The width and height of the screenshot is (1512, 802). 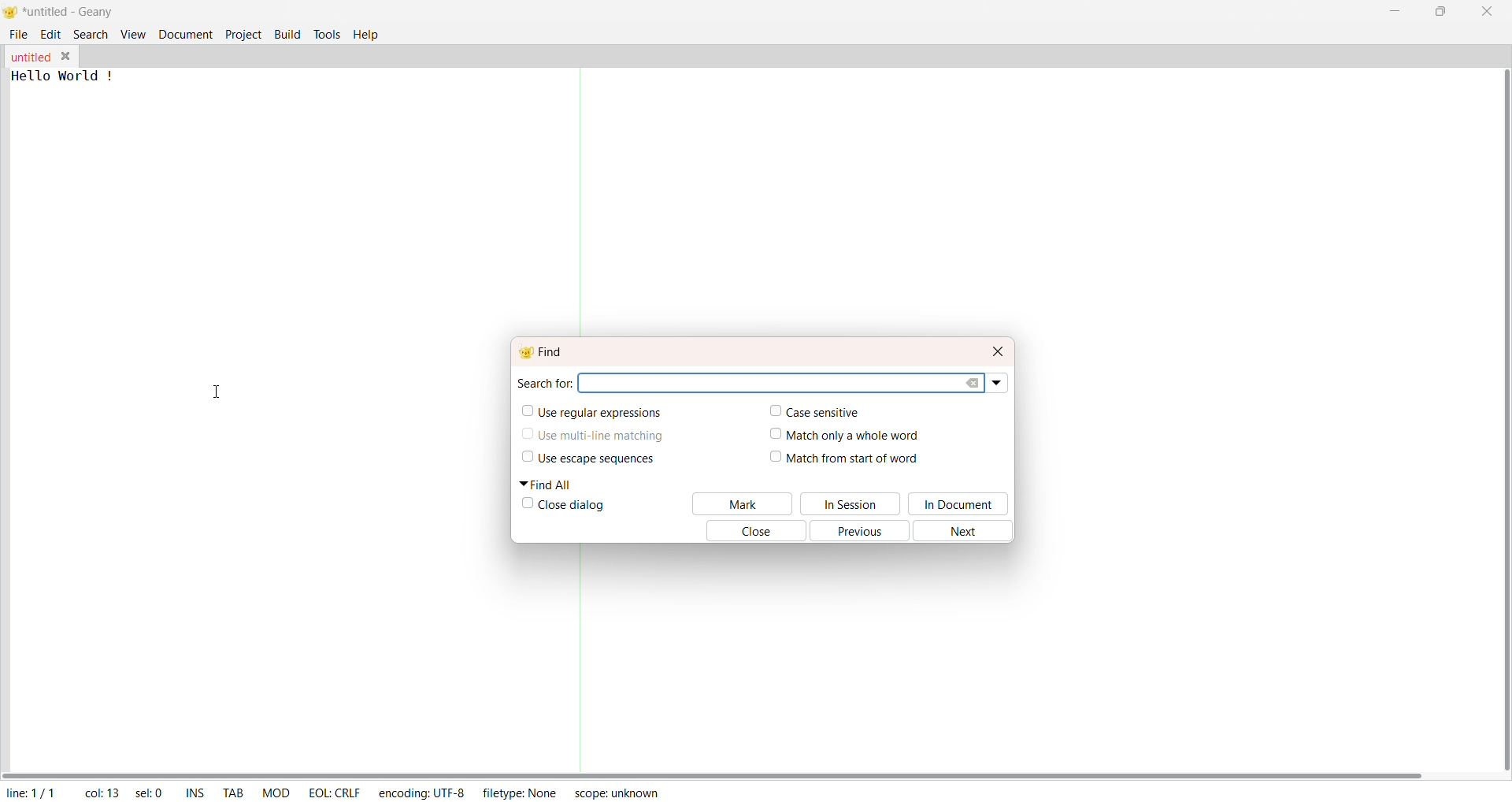 I want to click on Check box, so click(x=770, y=436).